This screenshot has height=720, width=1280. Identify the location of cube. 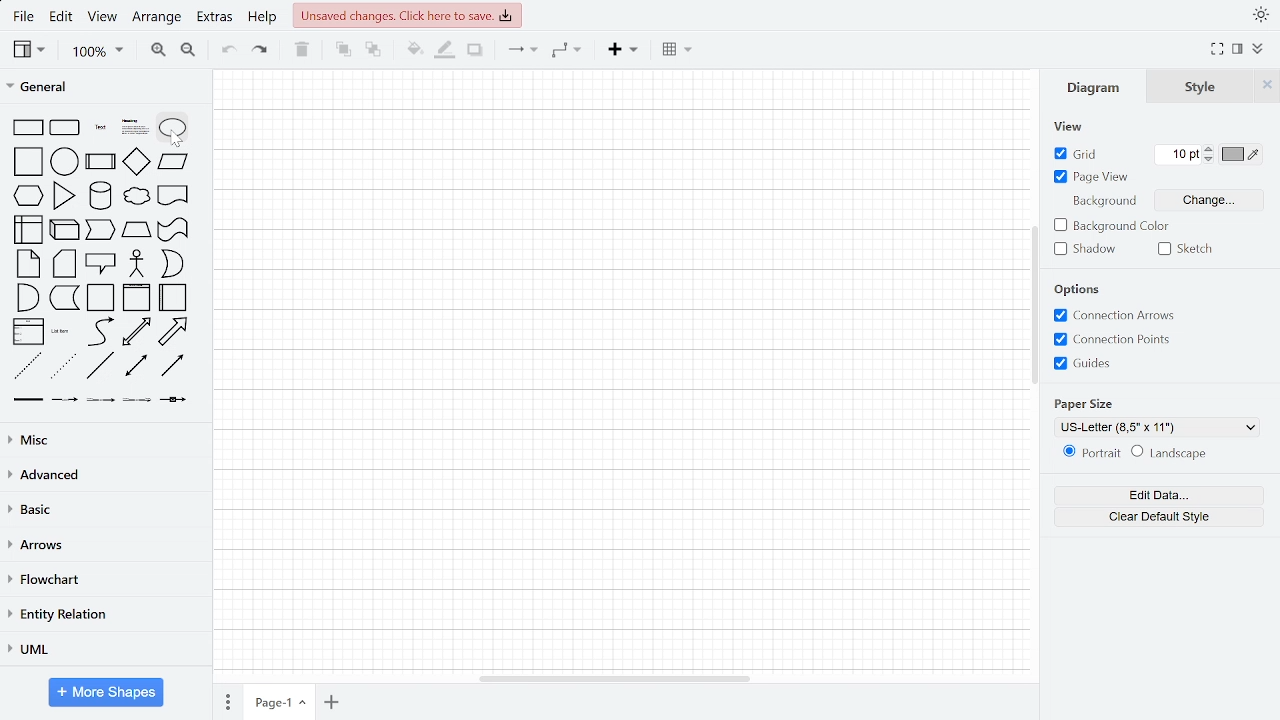
(65, 228).